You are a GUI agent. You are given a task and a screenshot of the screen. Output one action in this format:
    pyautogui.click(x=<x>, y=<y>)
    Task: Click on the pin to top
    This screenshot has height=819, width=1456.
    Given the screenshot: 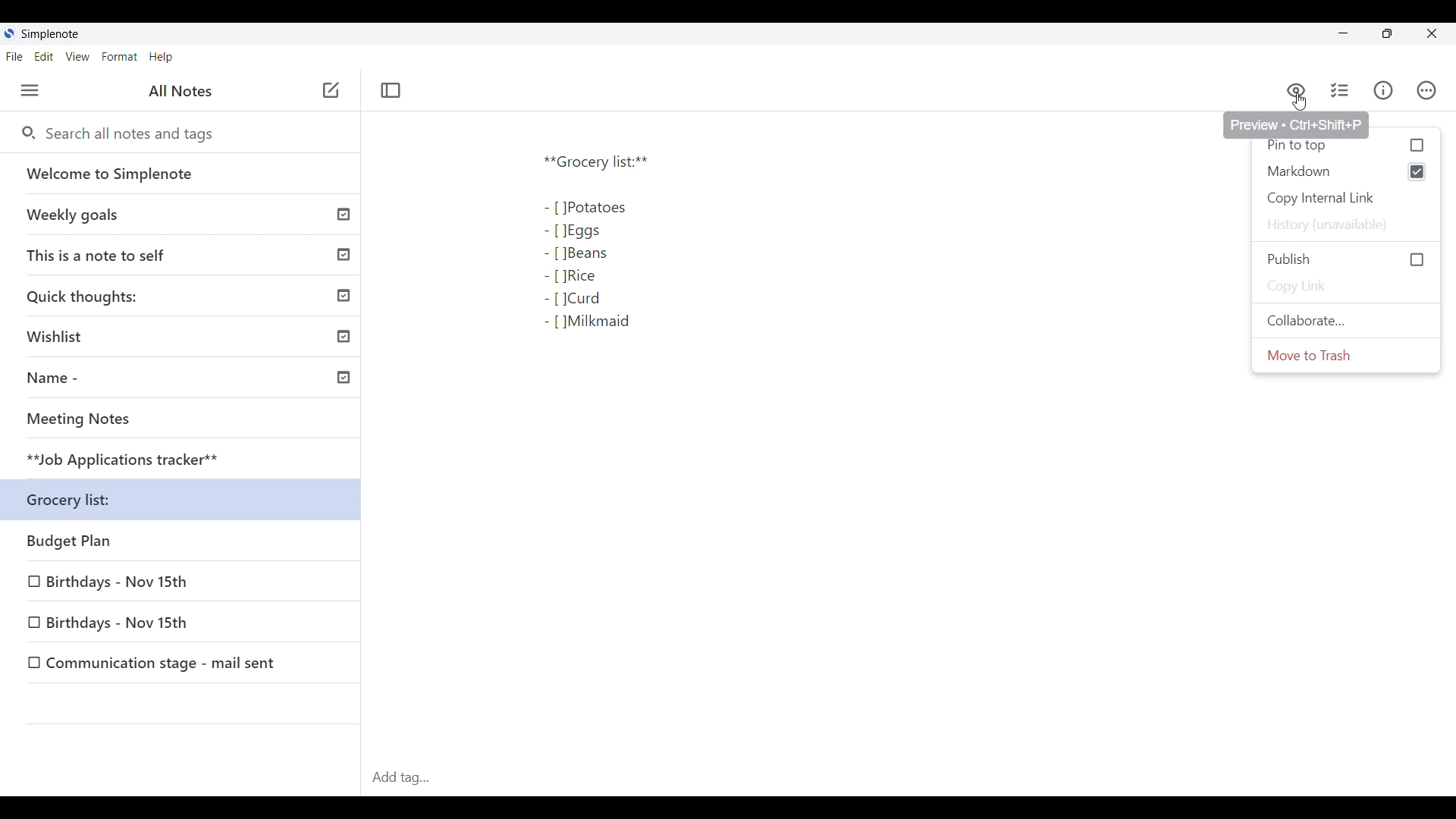 What is the action you would take?
    pyautogui.click(x=1348, y=147)
    